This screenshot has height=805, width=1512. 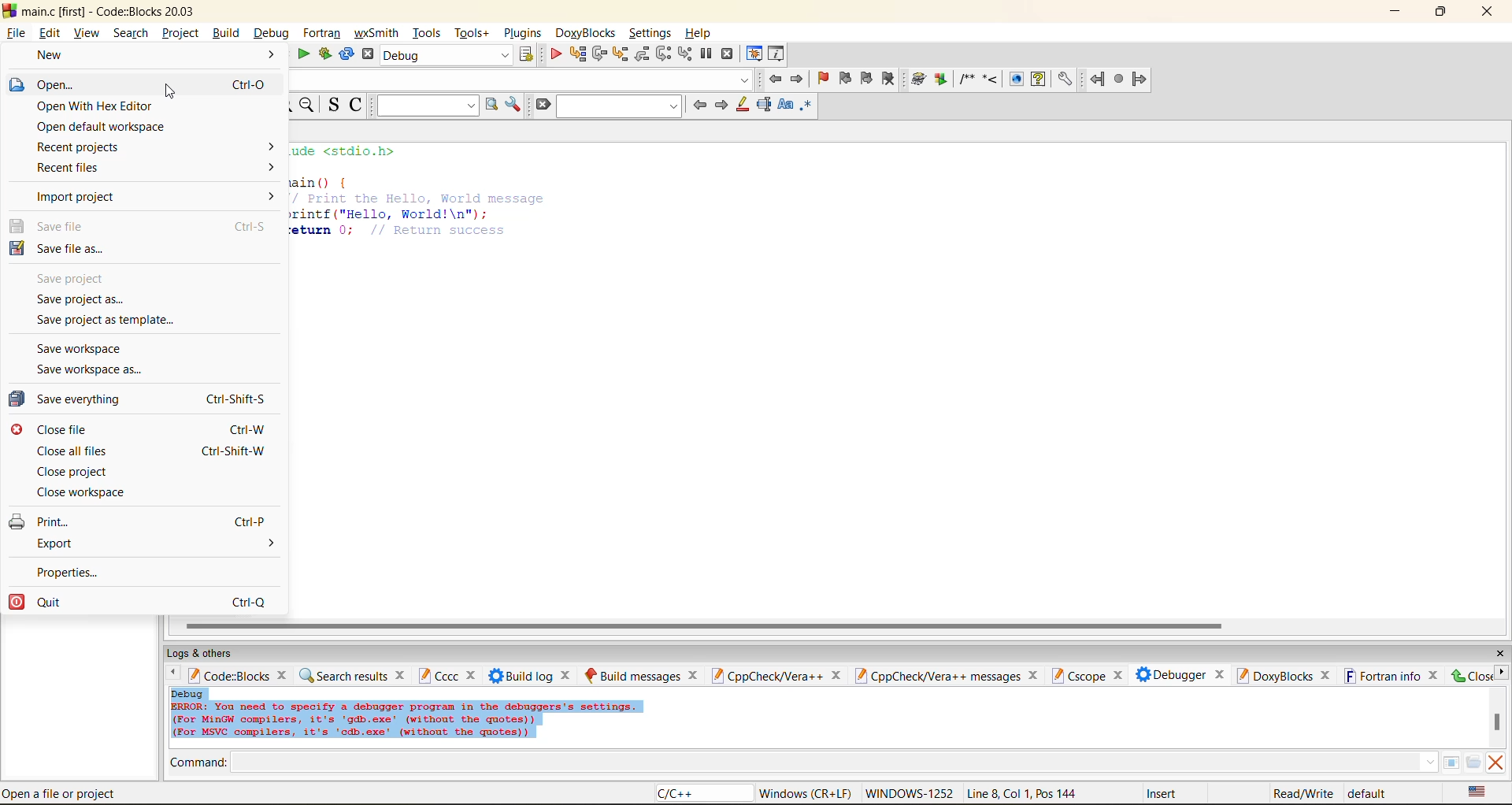 What do you see at coordinates (825, 79) in the screenshot?
I see `toggle bookmark` at bounding box center [825, 79].